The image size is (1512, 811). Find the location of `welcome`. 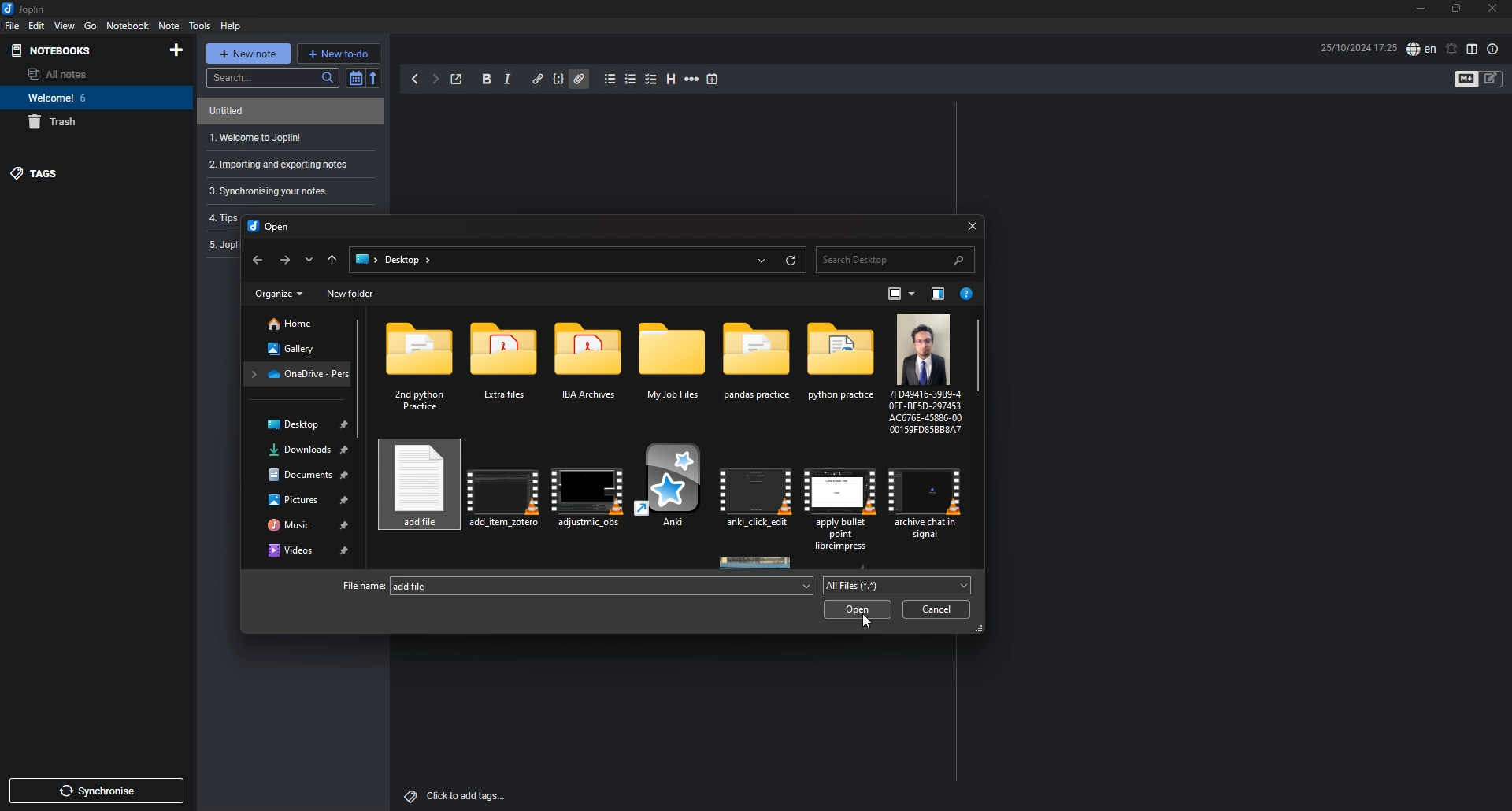

welcome is located at coordinates (87, 97).